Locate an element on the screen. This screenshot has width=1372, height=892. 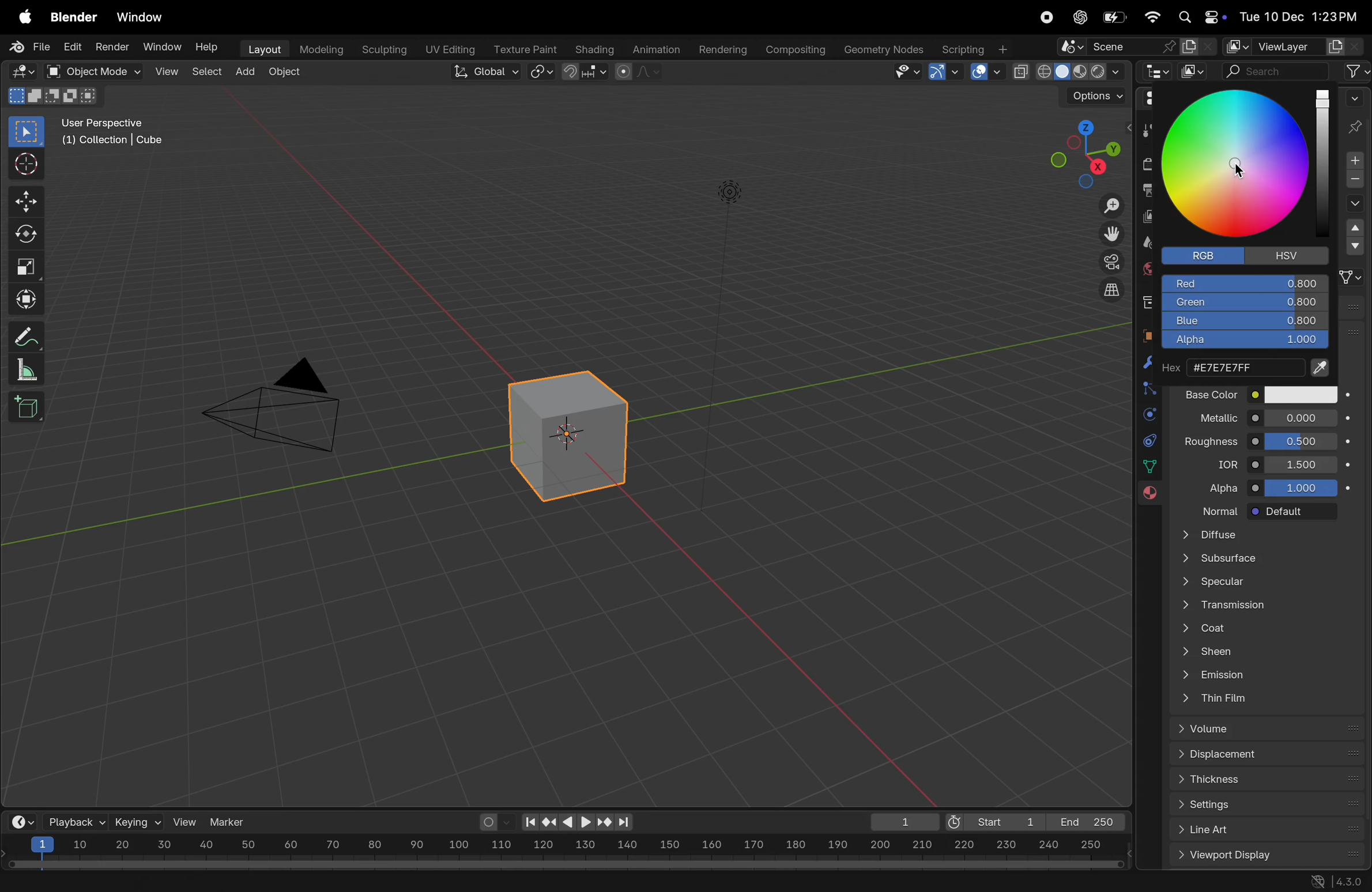
coat is located at coordinates (1269, 626).